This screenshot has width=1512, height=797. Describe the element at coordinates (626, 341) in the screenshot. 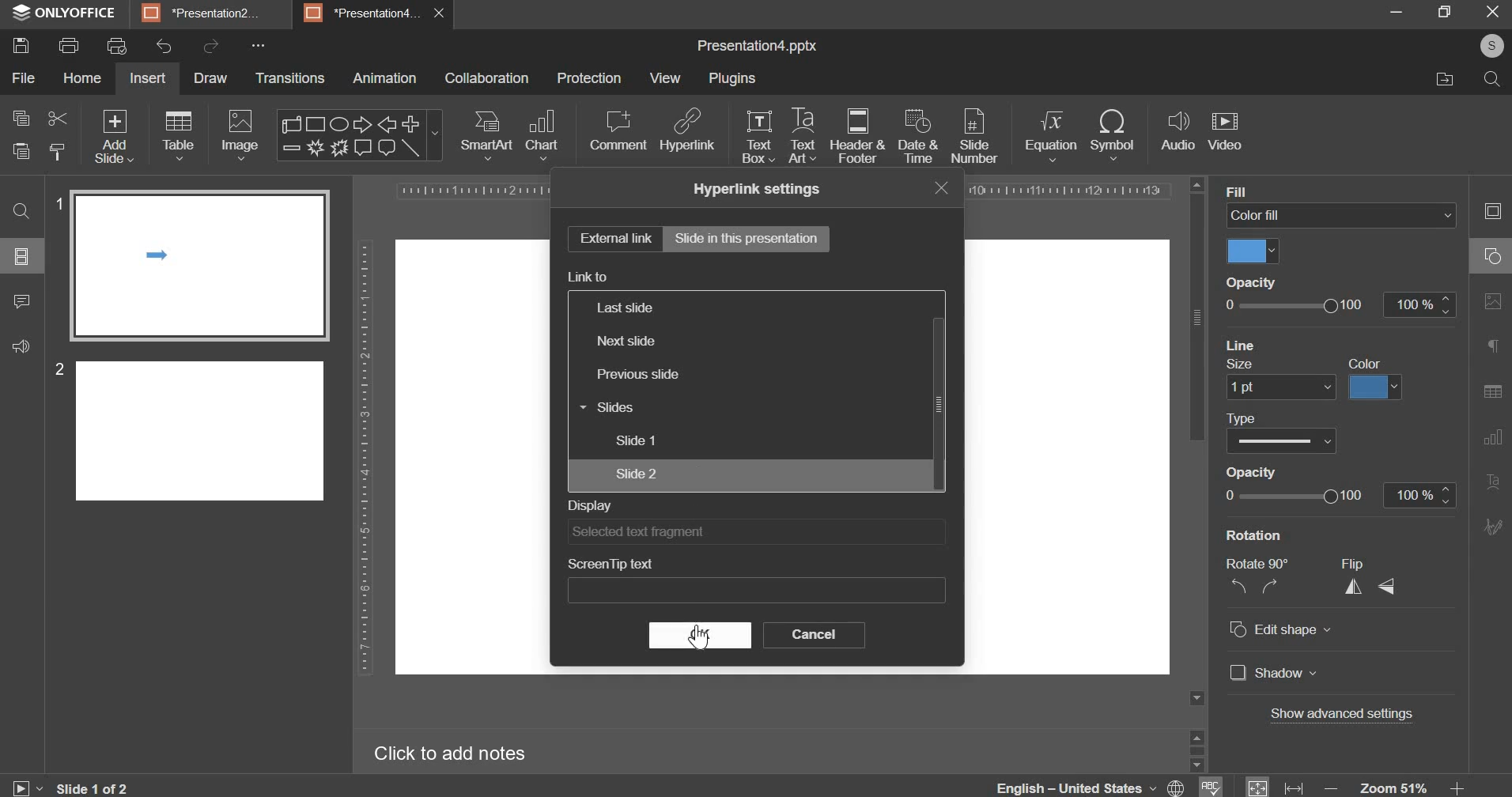

I see `next slide` at that location.